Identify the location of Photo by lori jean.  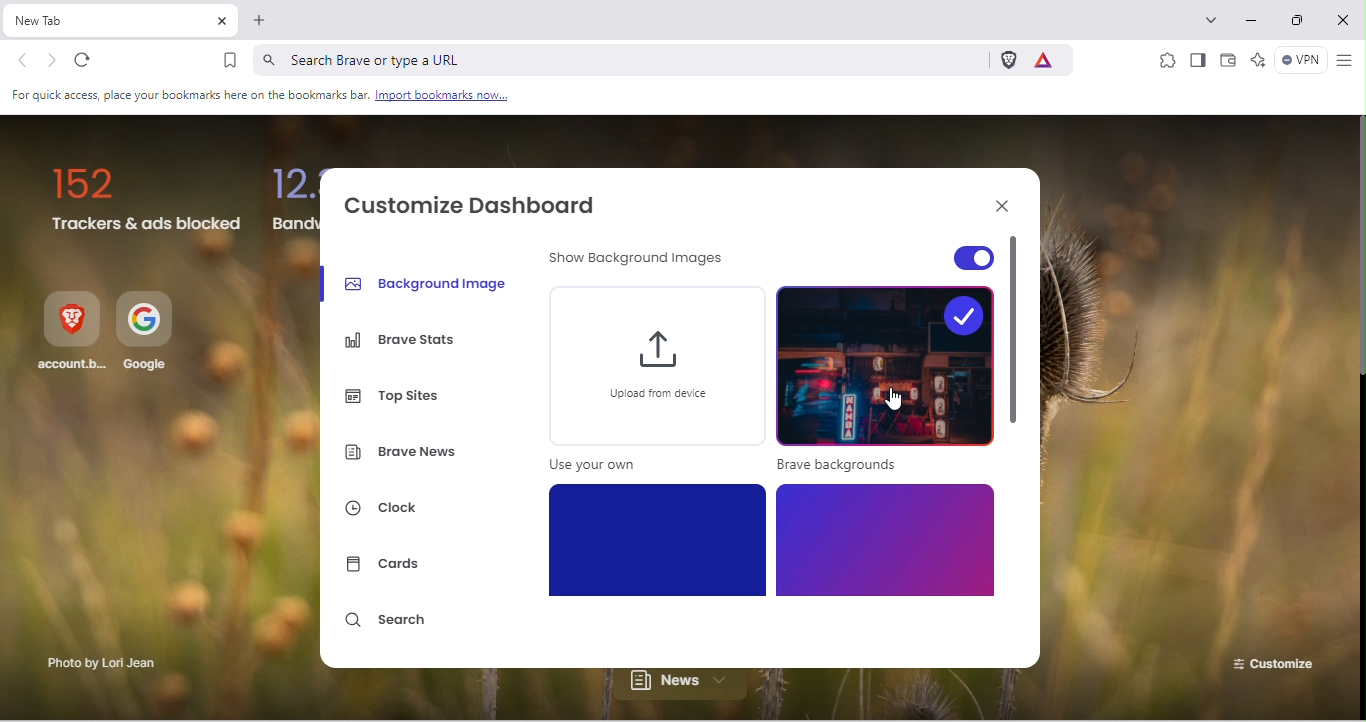
(98, 665).